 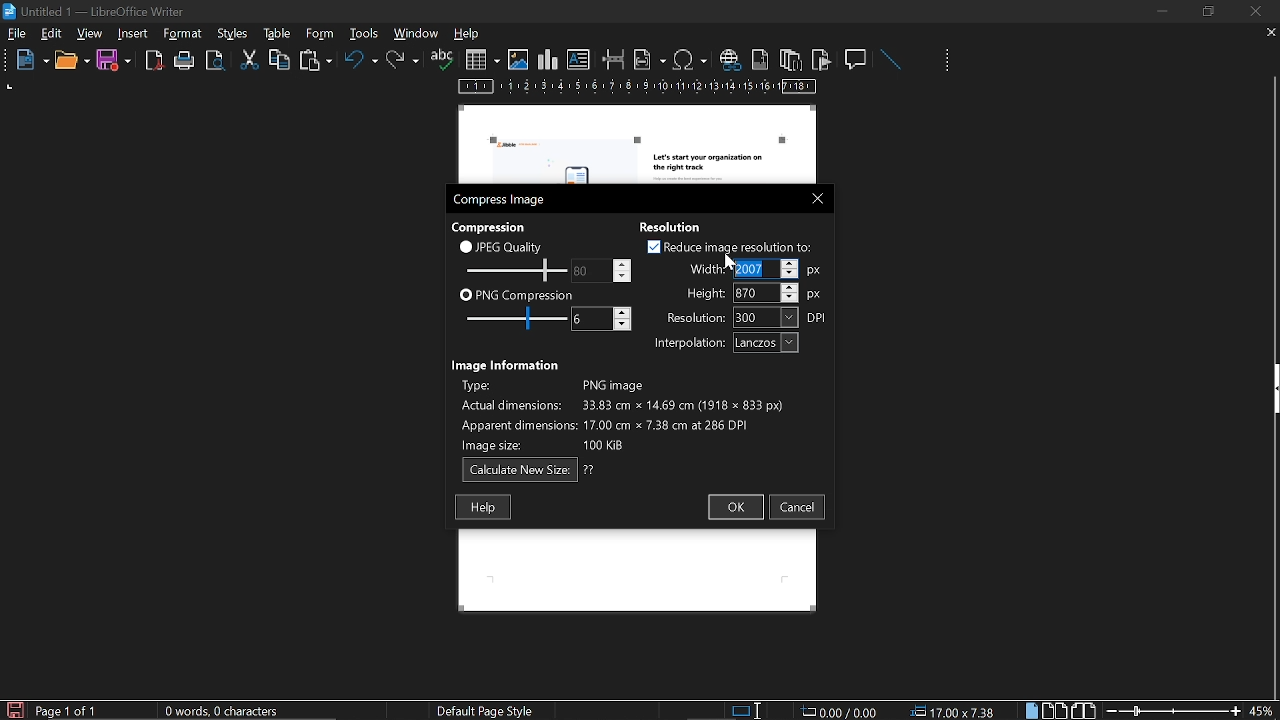 I want to click on current window, so click(x=97, y=10).